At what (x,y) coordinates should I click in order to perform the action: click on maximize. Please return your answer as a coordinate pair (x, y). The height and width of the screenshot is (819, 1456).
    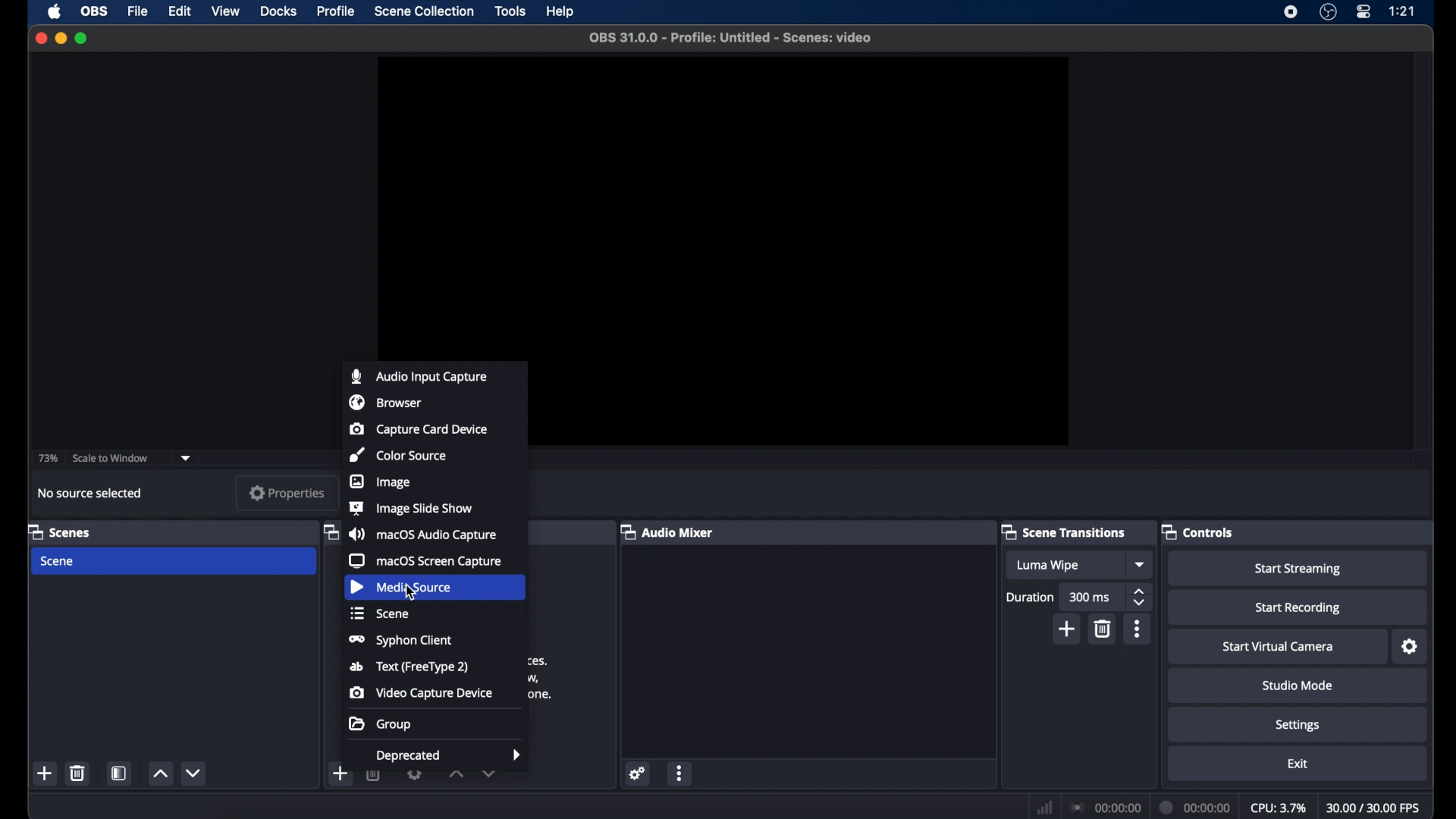
    Looking at the image, I should click on (82, 38).